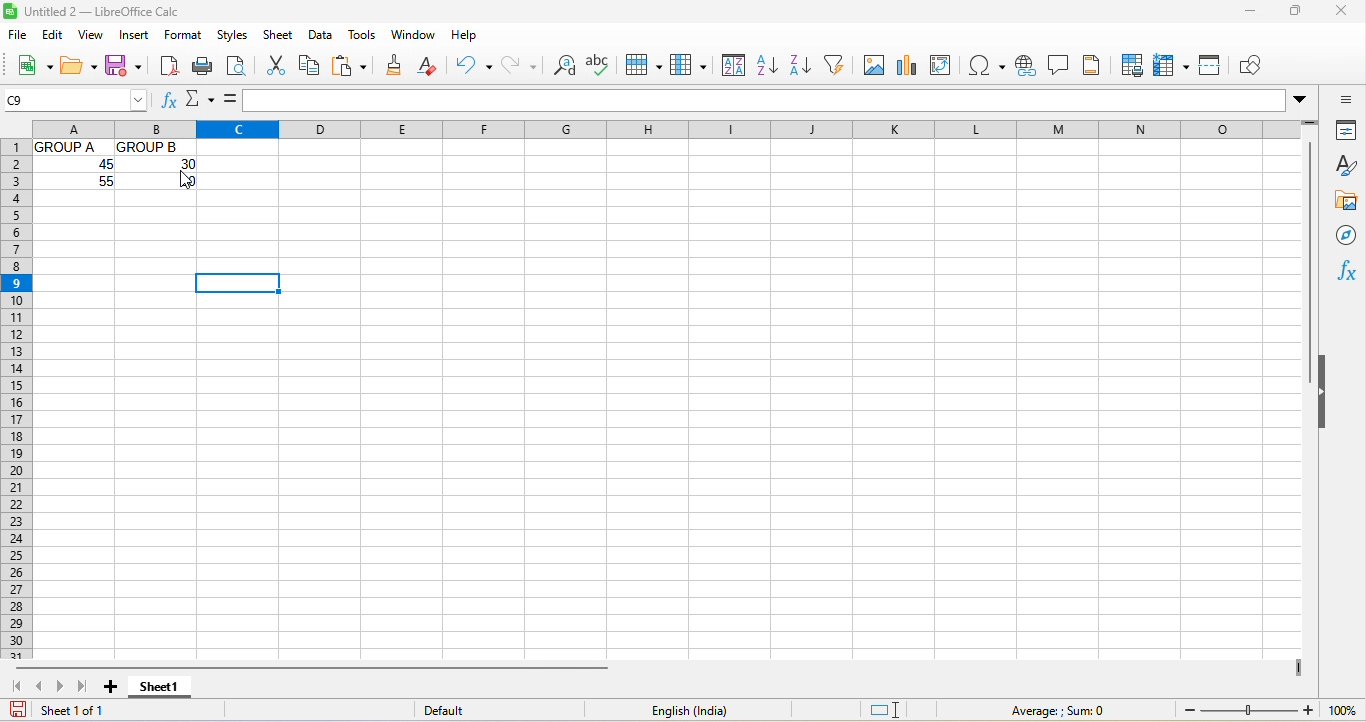 The width and height of the screenshot is (1366, 722). What do you see at coordinates (1252, 64) in the screenshot?
I see `show draw function` at bounding box center [1252, 64].